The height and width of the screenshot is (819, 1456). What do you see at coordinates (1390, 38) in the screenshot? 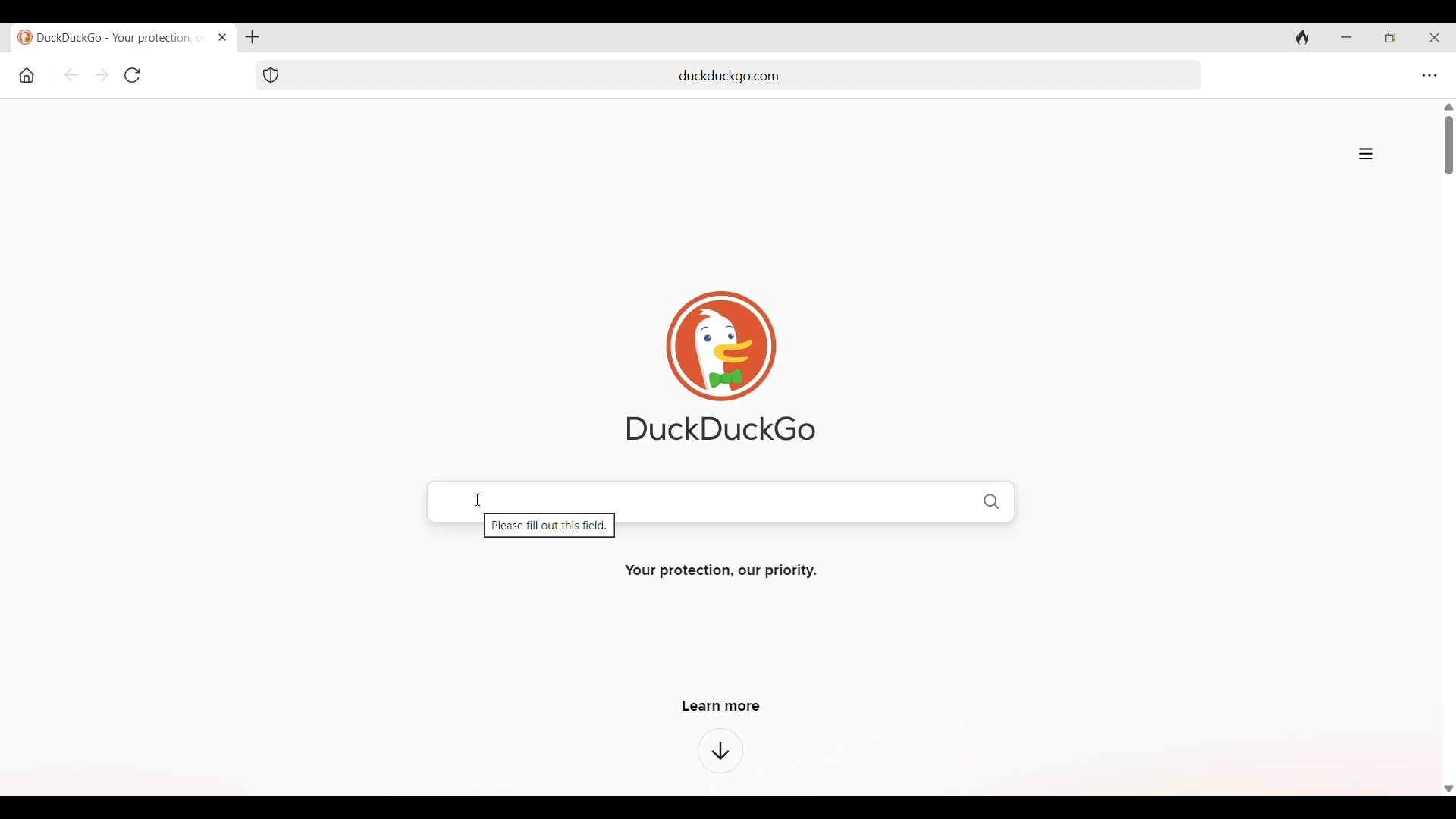
I see `Show interface in a smaller tab` at bounding box center [1390, 38].